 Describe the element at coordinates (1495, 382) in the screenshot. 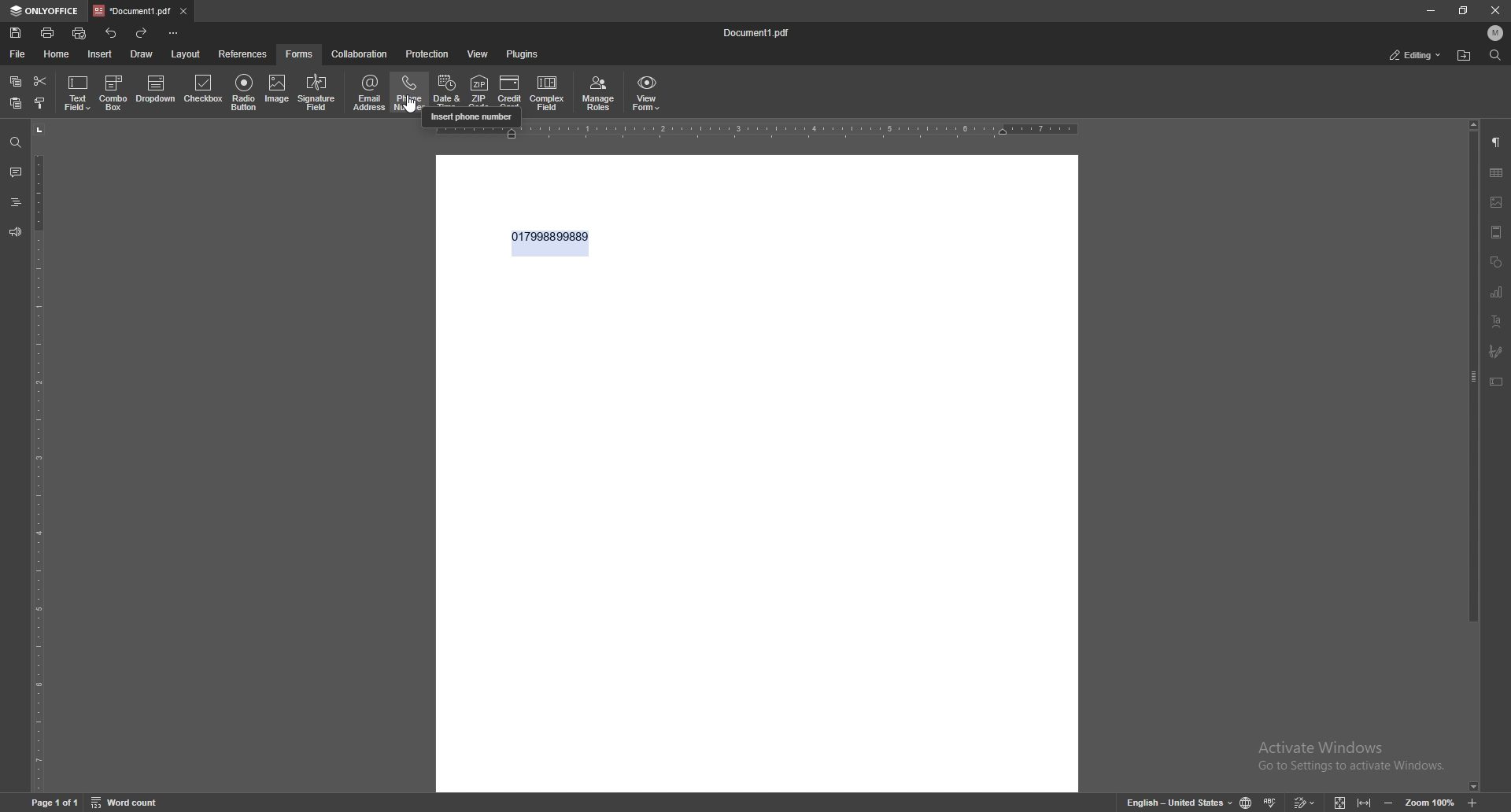

I see `text box` at that location.